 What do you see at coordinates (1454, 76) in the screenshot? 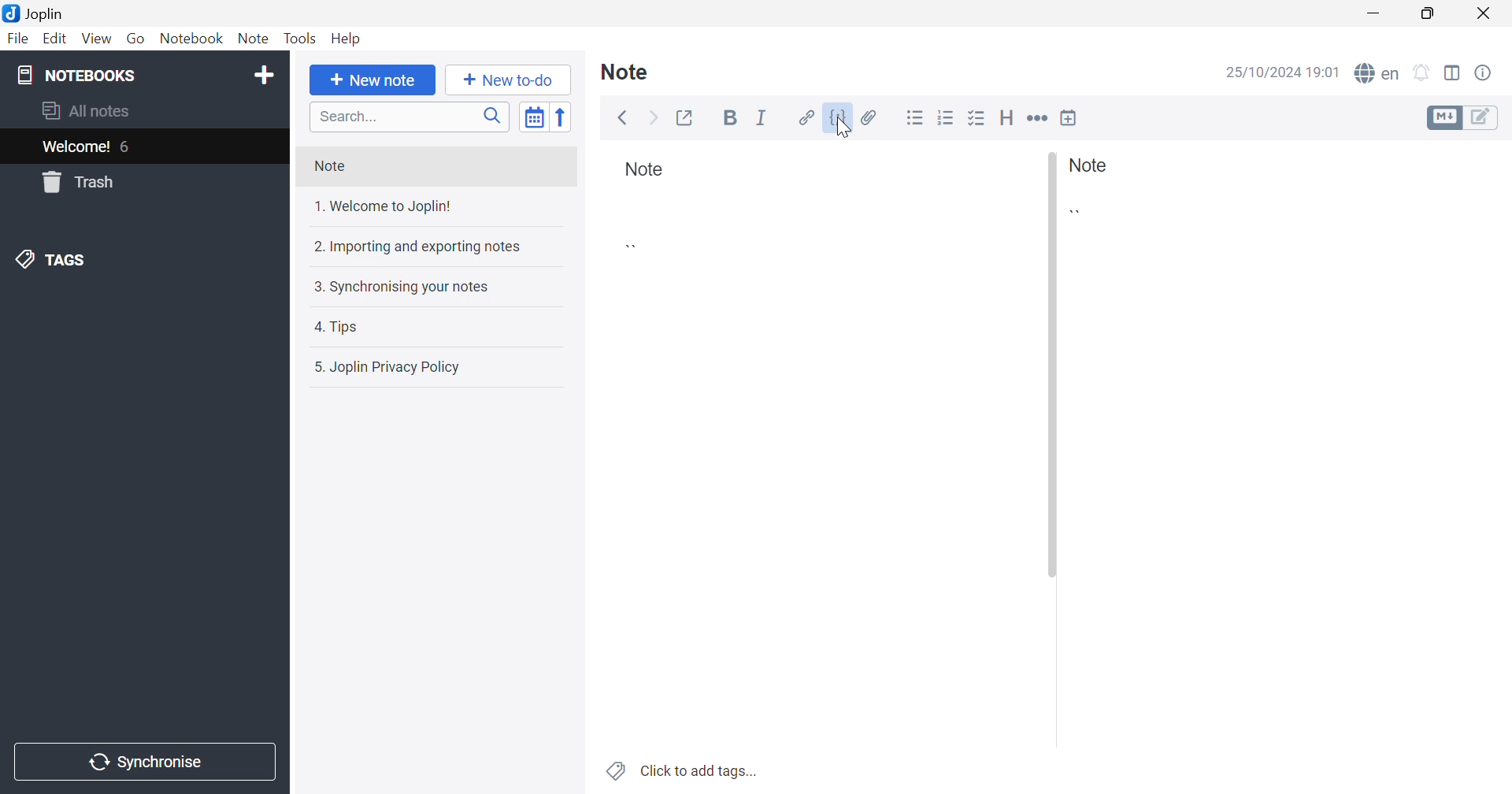
I see `Toggle editor layout` at bounding box center [1454, 76].